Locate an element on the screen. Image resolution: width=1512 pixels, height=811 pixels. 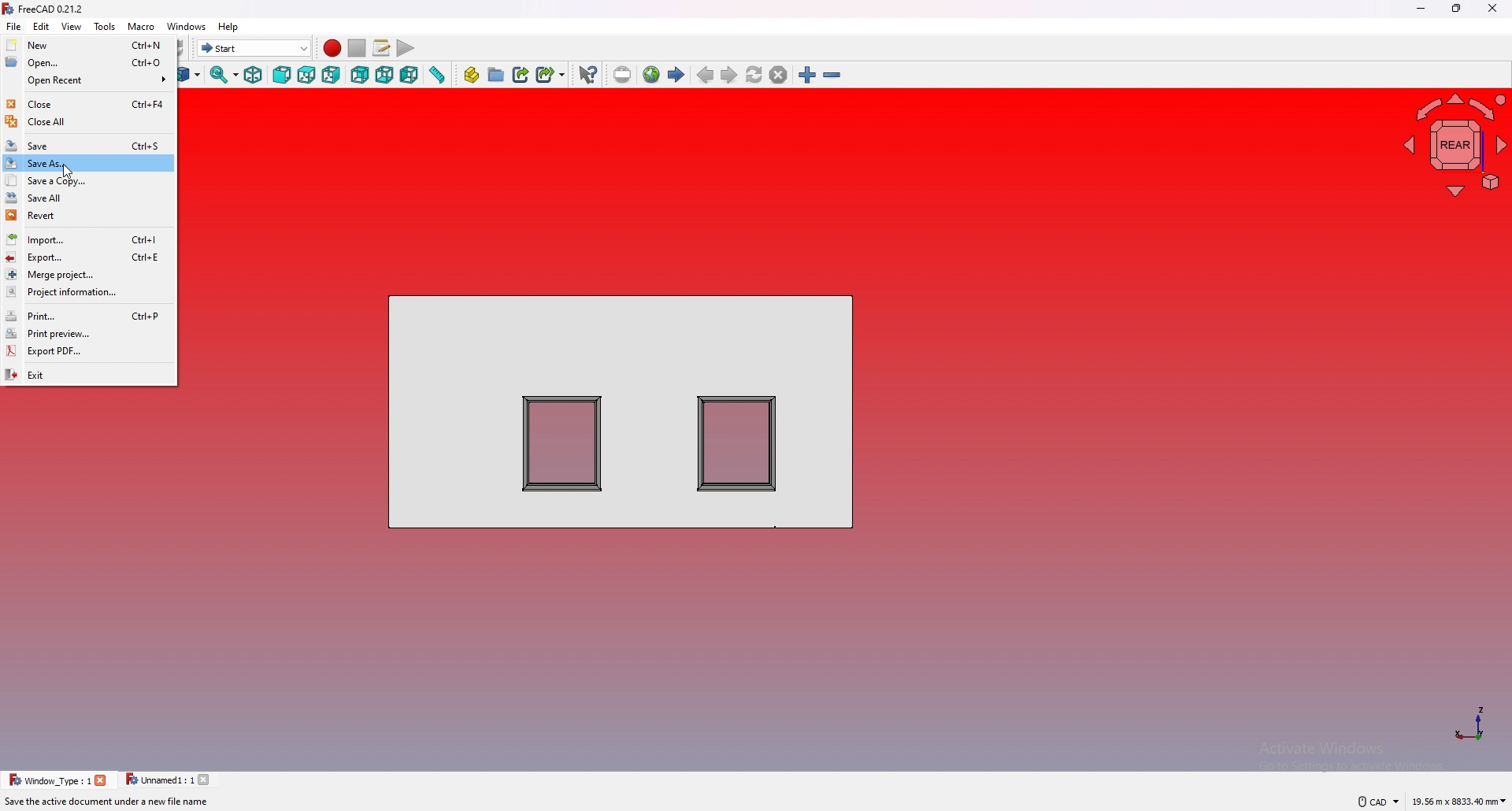
create link is located at coordinates (521, 75).